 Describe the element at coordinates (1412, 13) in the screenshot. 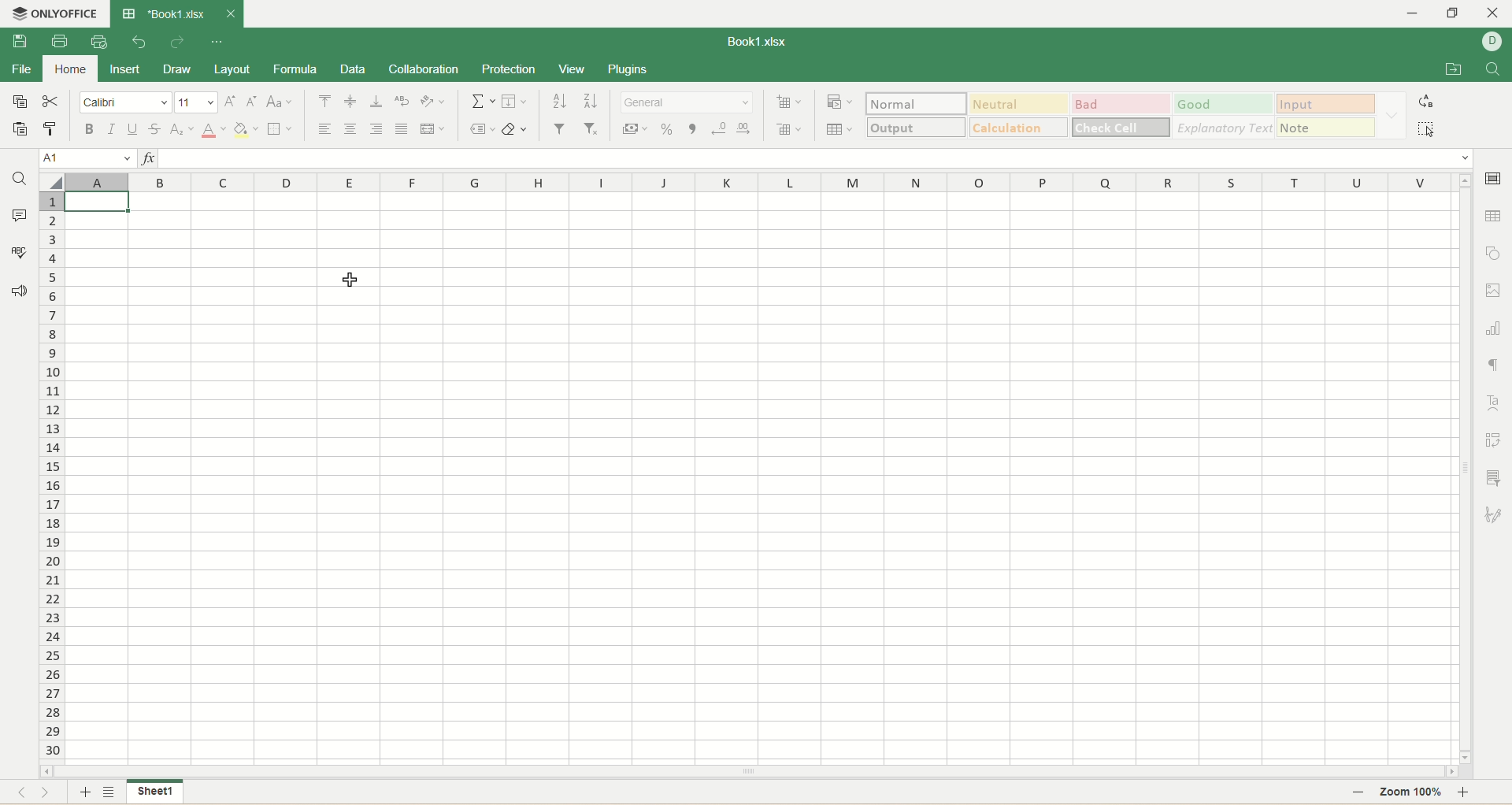

I see `minmize` at that location.